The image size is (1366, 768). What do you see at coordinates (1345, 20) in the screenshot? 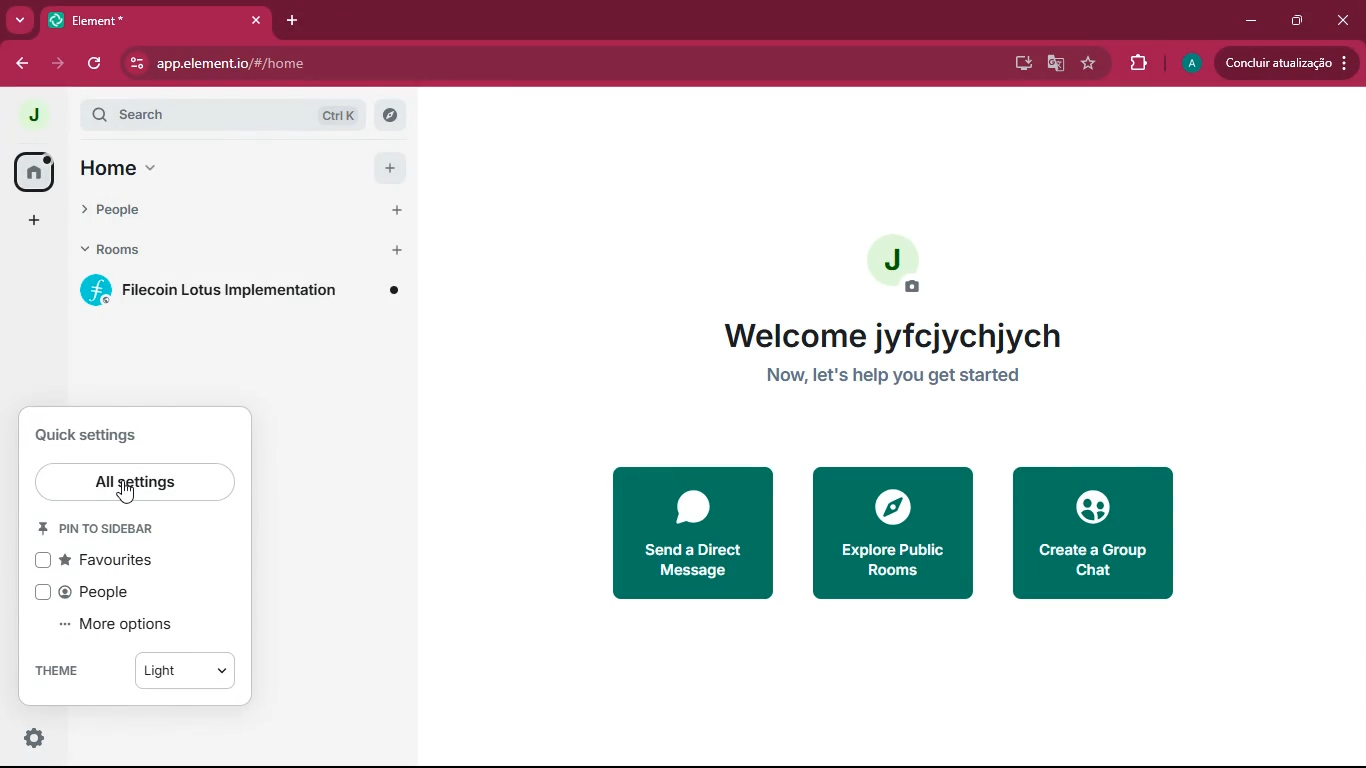
I see `close` at bounding box center [1345, 20].